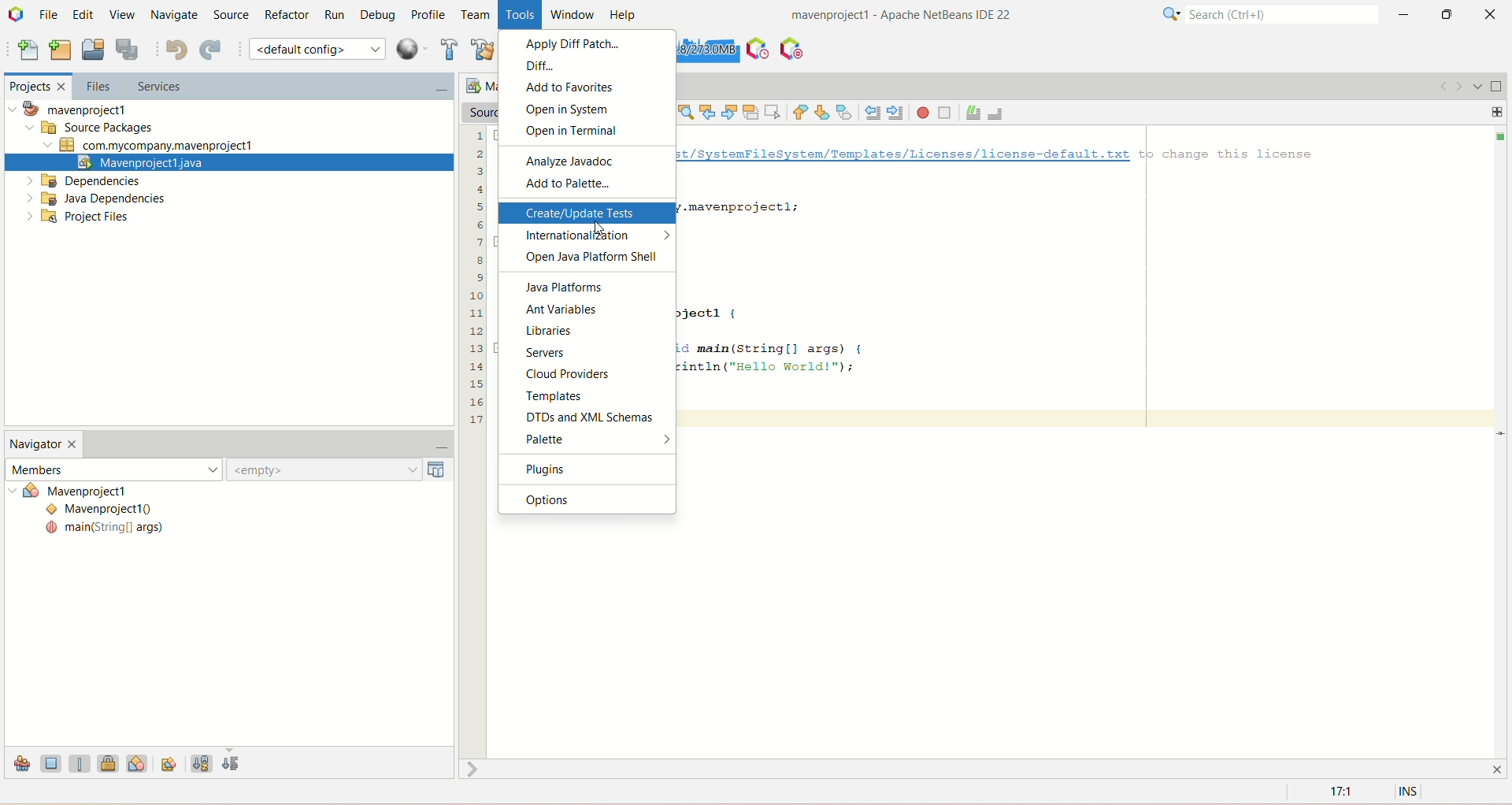  What do you see at coordinates (17, 16) in the screenshot?
I see `logo` at bounding box center [17, 16].